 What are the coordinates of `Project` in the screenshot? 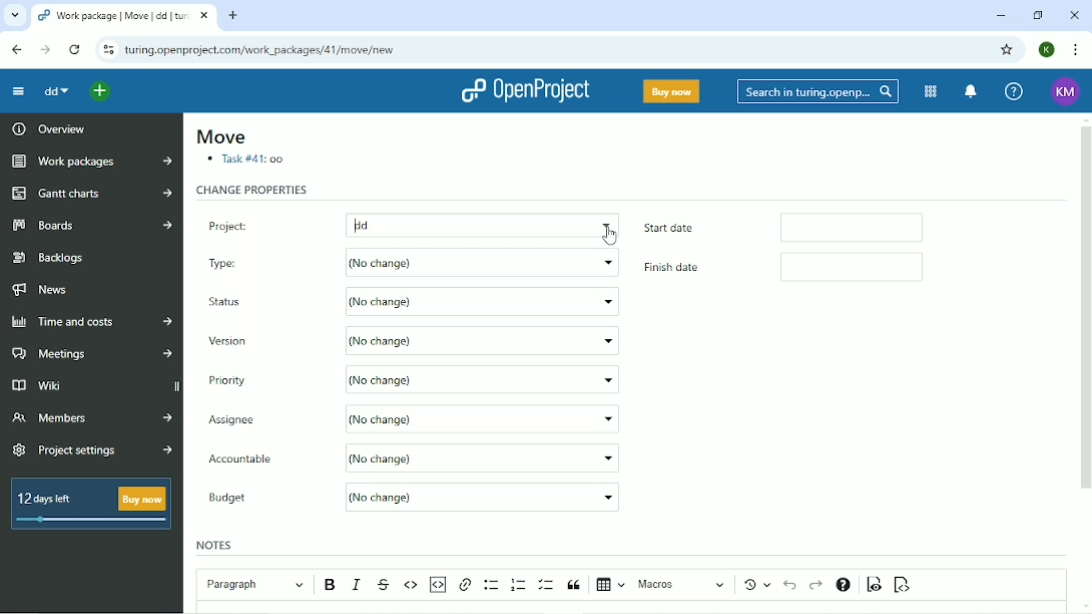 It's located at (263, 222).